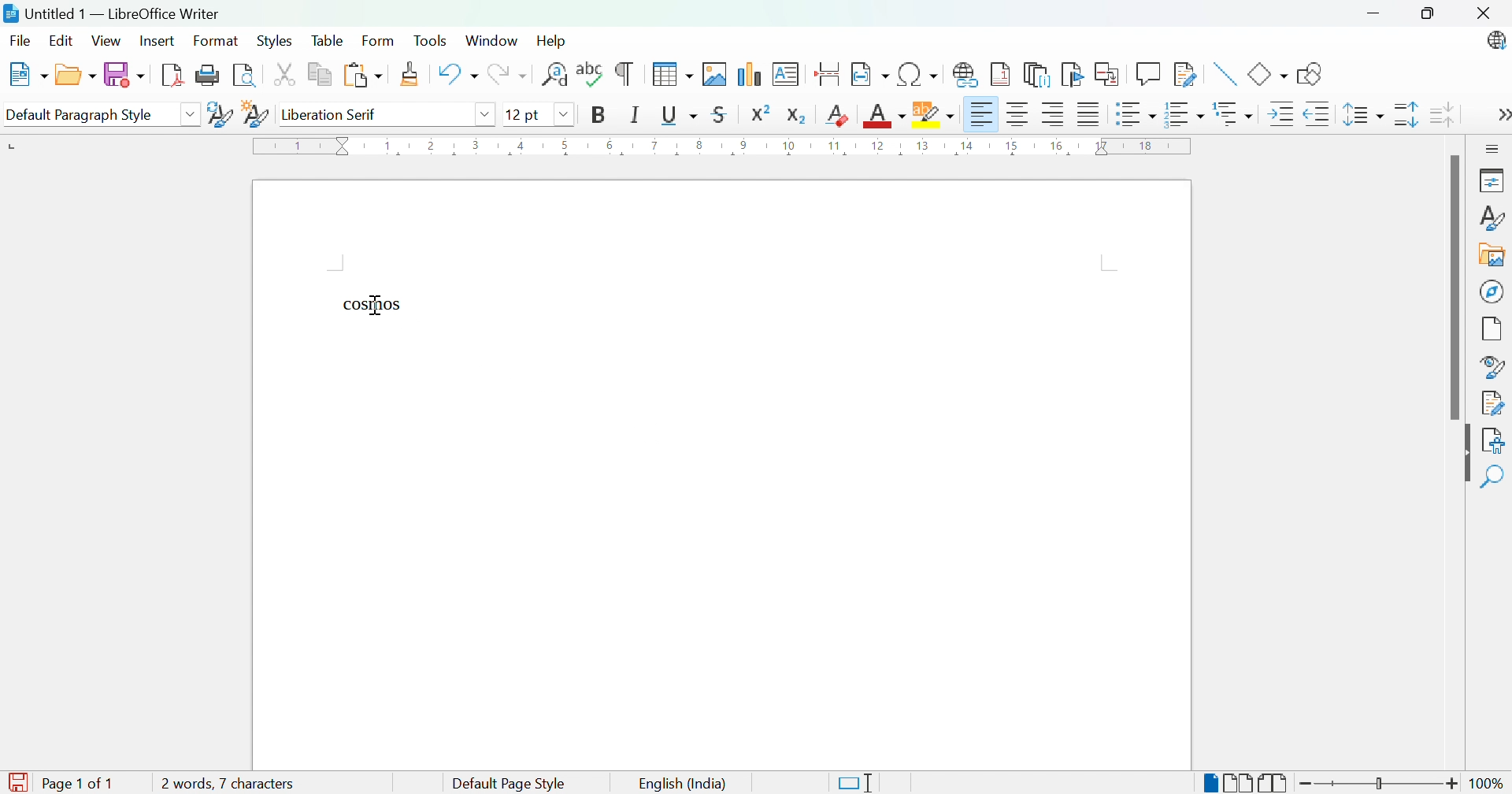  What do you see at coordinates (330, 41) in the screenshot?
I see `Table` at bounding box center [330, 41].